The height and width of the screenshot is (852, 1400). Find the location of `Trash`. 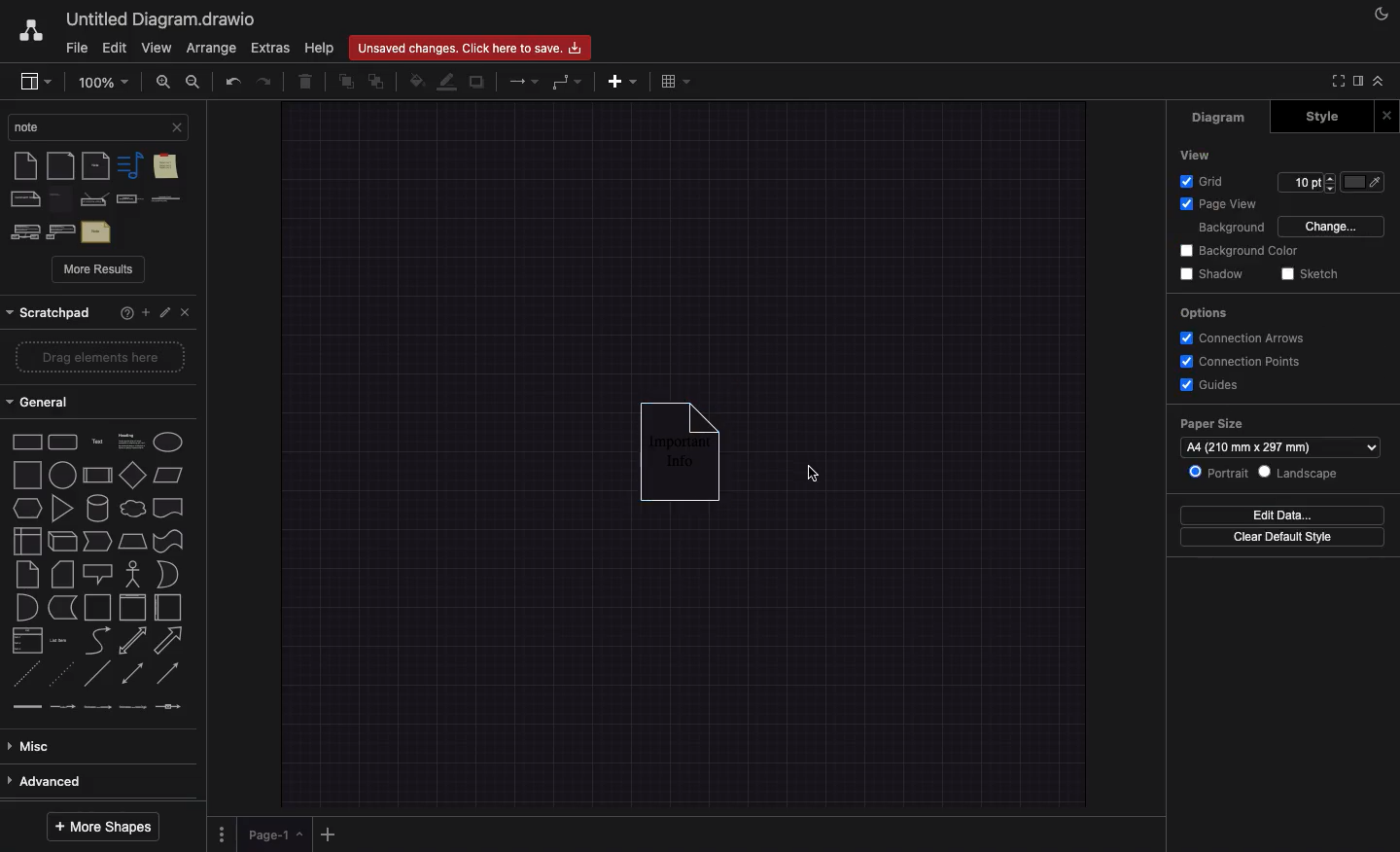

Trash is located at coordinates (303, 79).